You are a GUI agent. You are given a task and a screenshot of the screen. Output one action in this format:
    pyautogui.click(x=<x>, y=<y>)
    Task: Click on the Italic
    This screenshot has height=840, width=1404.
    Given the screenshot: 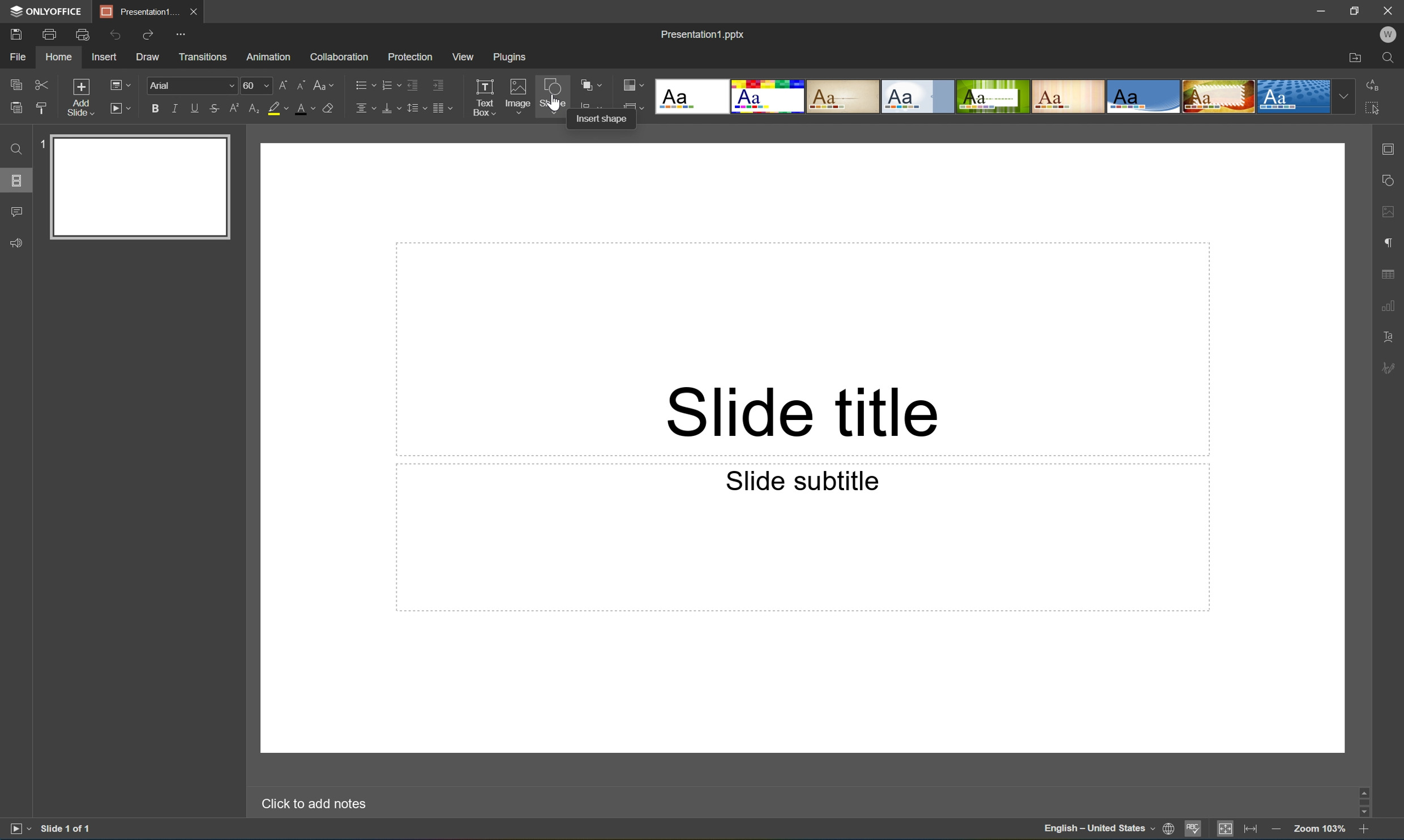 What is the action you would take?
    pyautogui.click(x=173, y=107)
    